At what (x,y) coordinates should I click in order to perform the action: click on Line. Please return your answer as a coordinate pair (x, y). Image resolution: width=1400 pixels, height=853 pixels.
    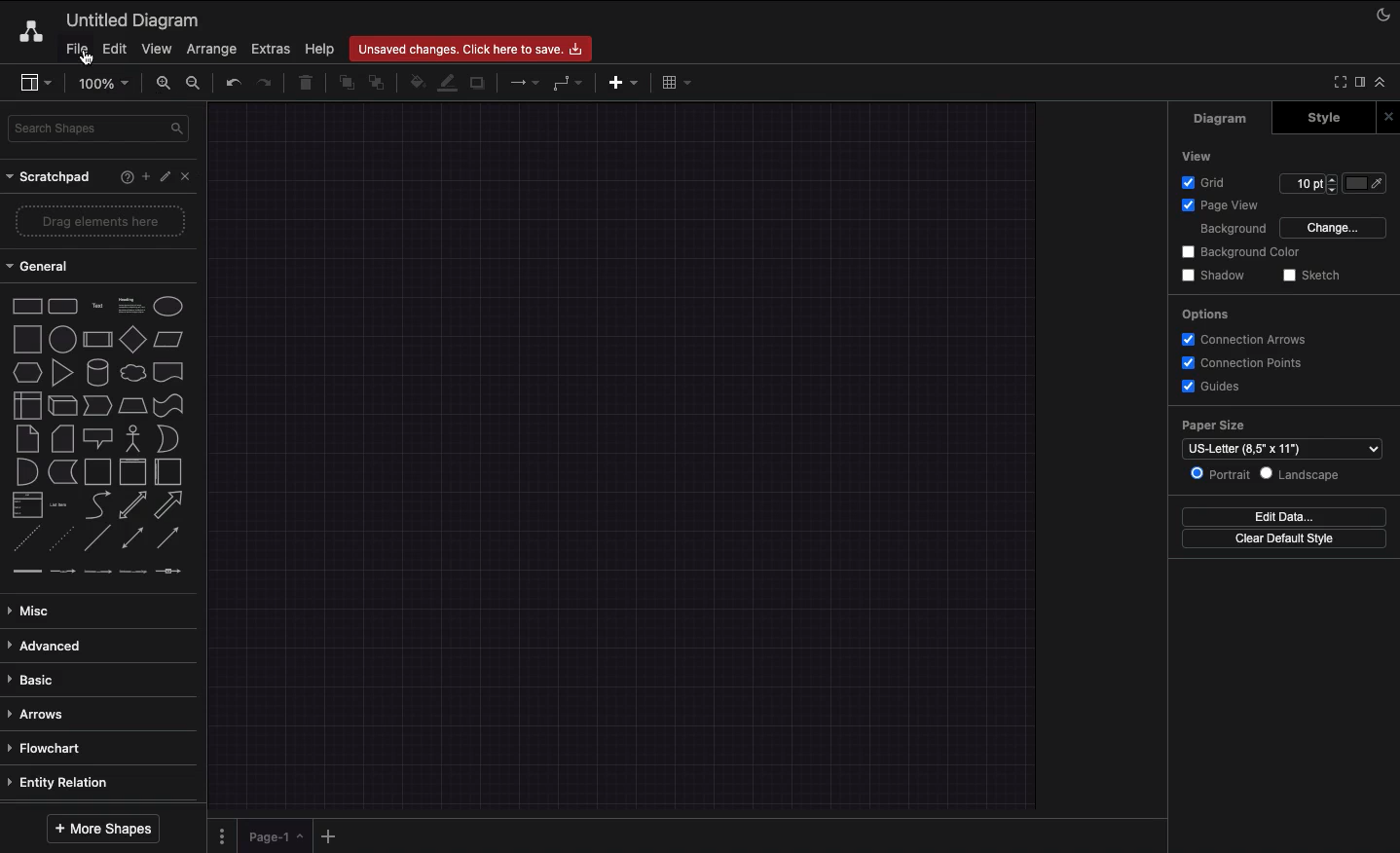
    Looking at the image, I should click on (97, 539).